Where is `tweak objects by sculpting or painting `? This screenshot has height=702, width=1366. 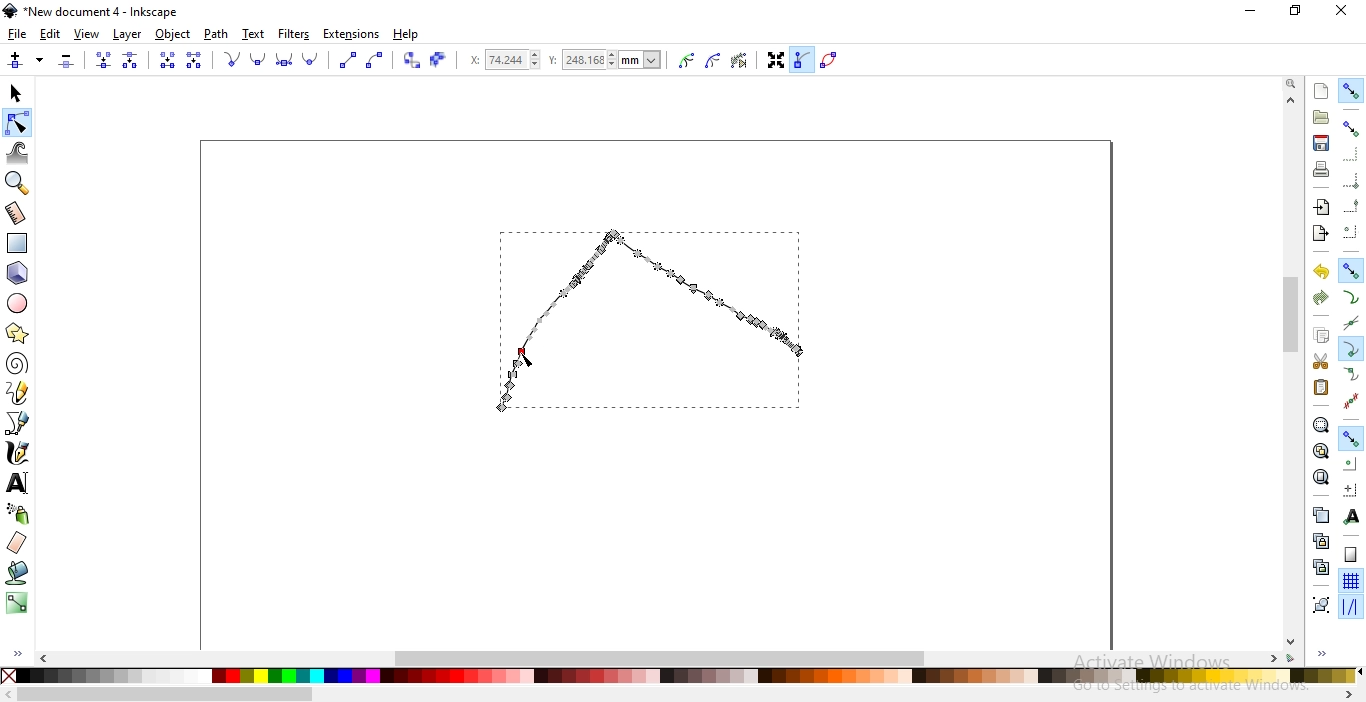
tweak objects by sculpting or painting  is located at coordinates (18, 153).